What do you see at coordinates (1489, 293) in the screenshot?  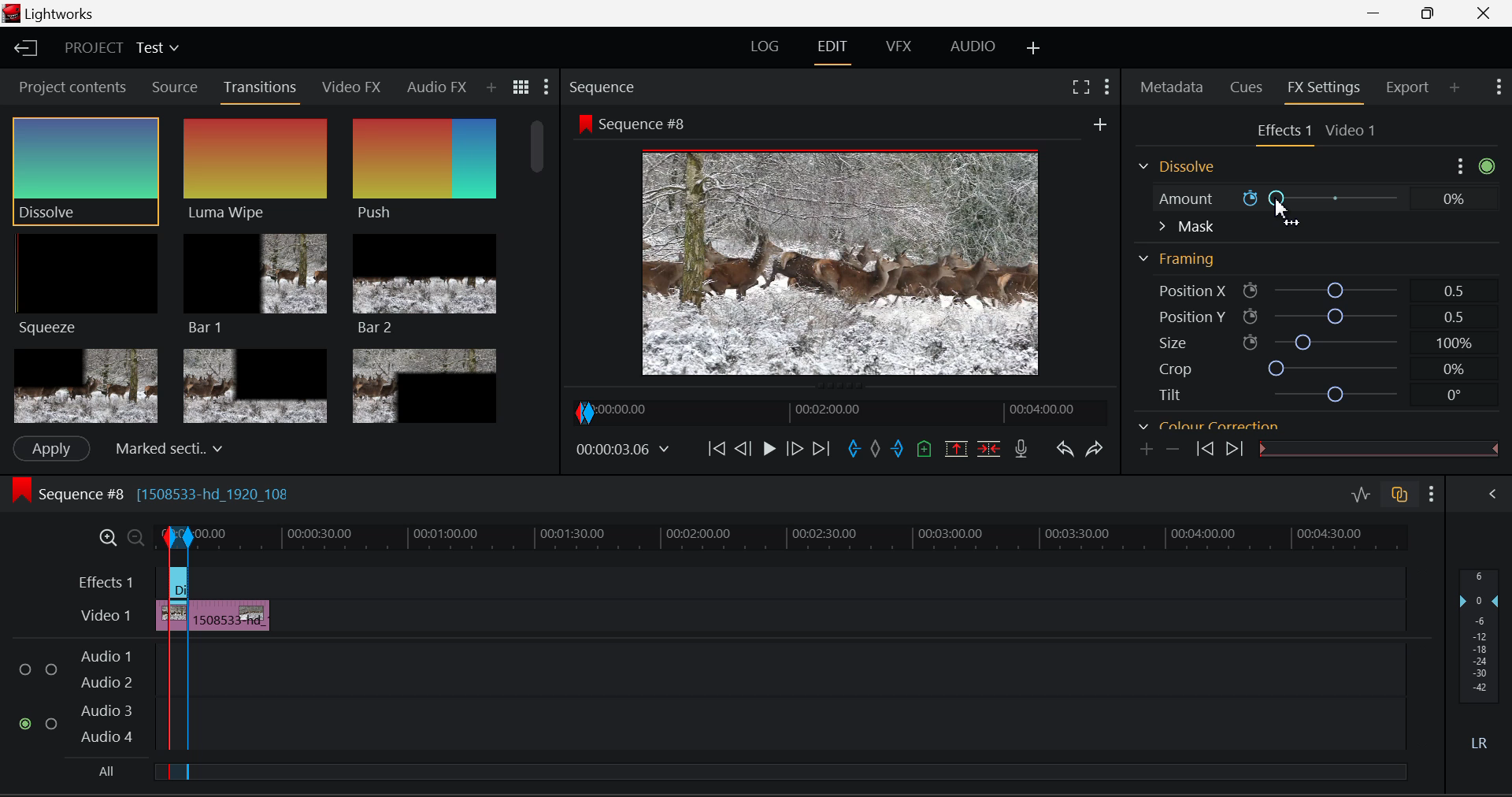 I see `Scroll Bar` at bounding box center [1489, 293].